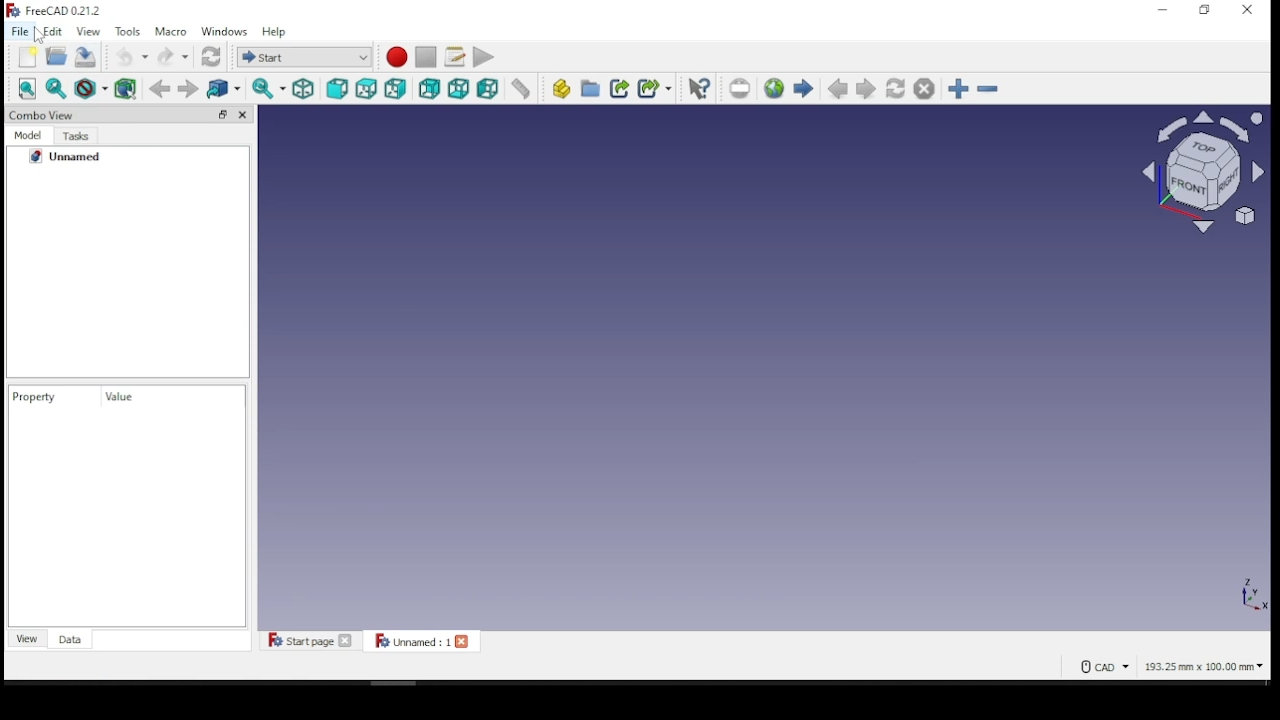 The width and height of the screenshot is (1280, 720). I want to click on right, so click(397, 87).